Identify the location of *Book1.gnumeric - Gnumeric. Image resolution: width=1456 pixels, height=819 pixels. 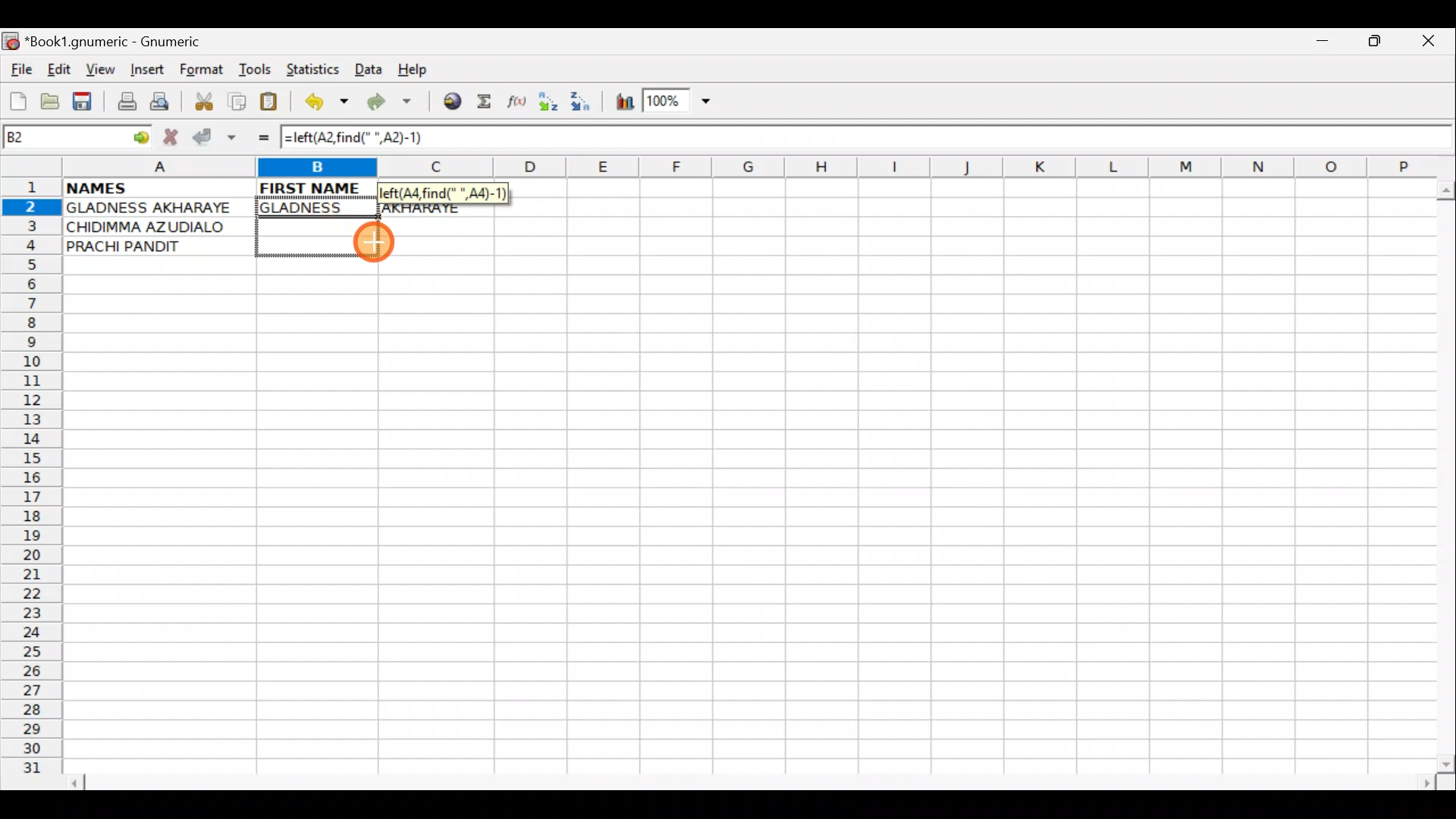
(127, 42).